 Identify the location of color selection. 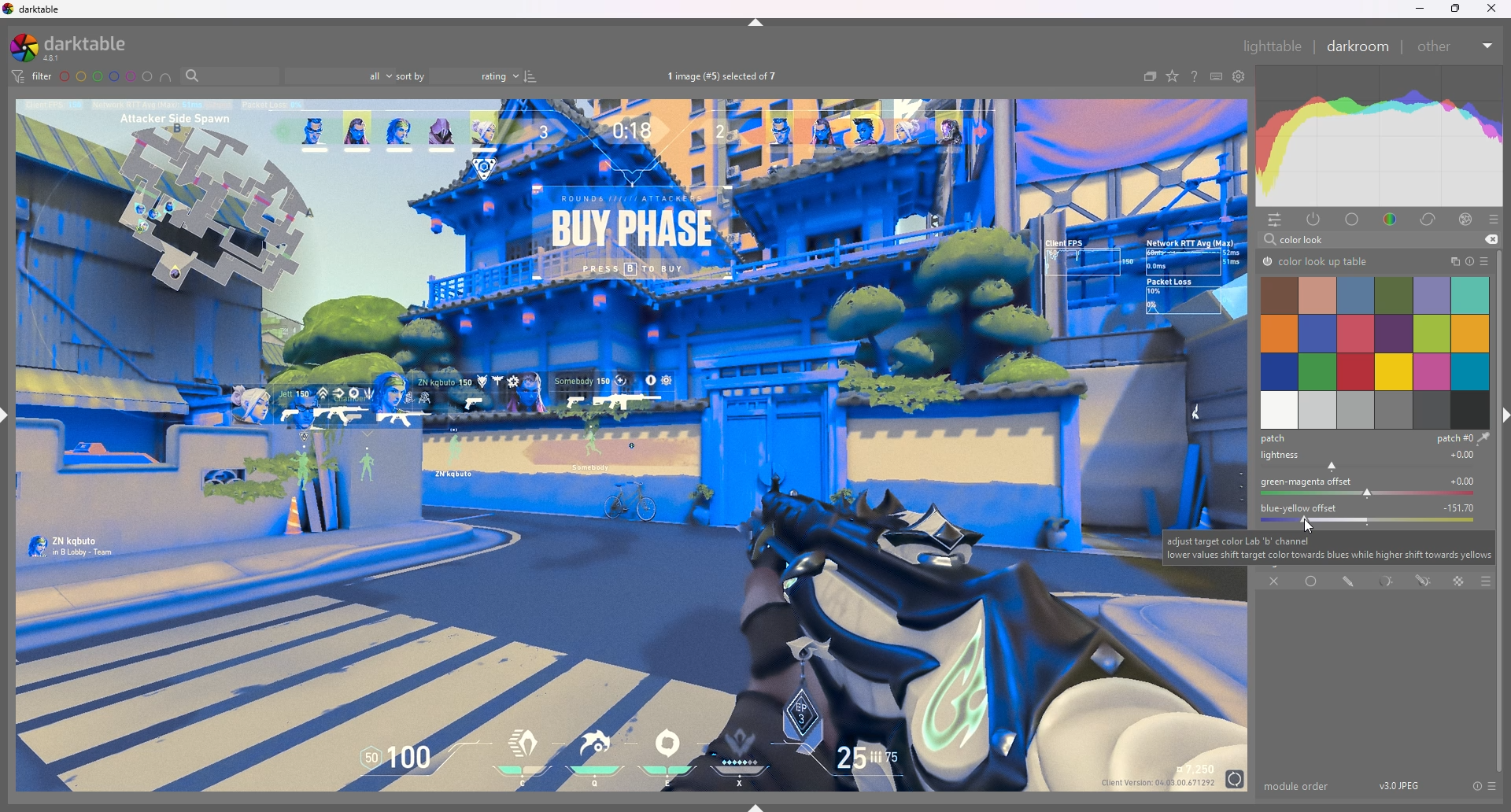
(1374, 352).